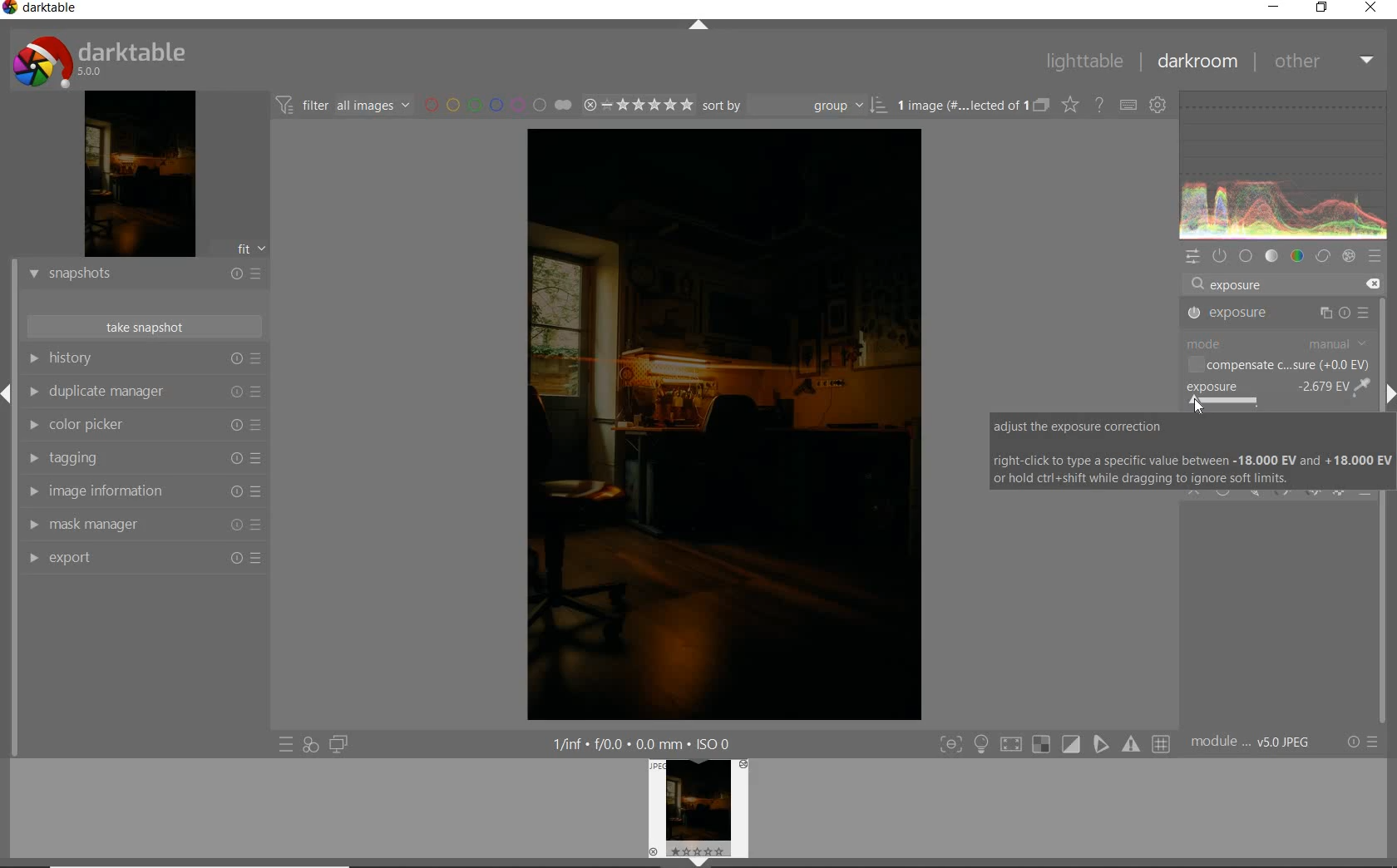 The width and height of the screenshot is (1397, 868). I want to click on tone, so click(1271, 255).